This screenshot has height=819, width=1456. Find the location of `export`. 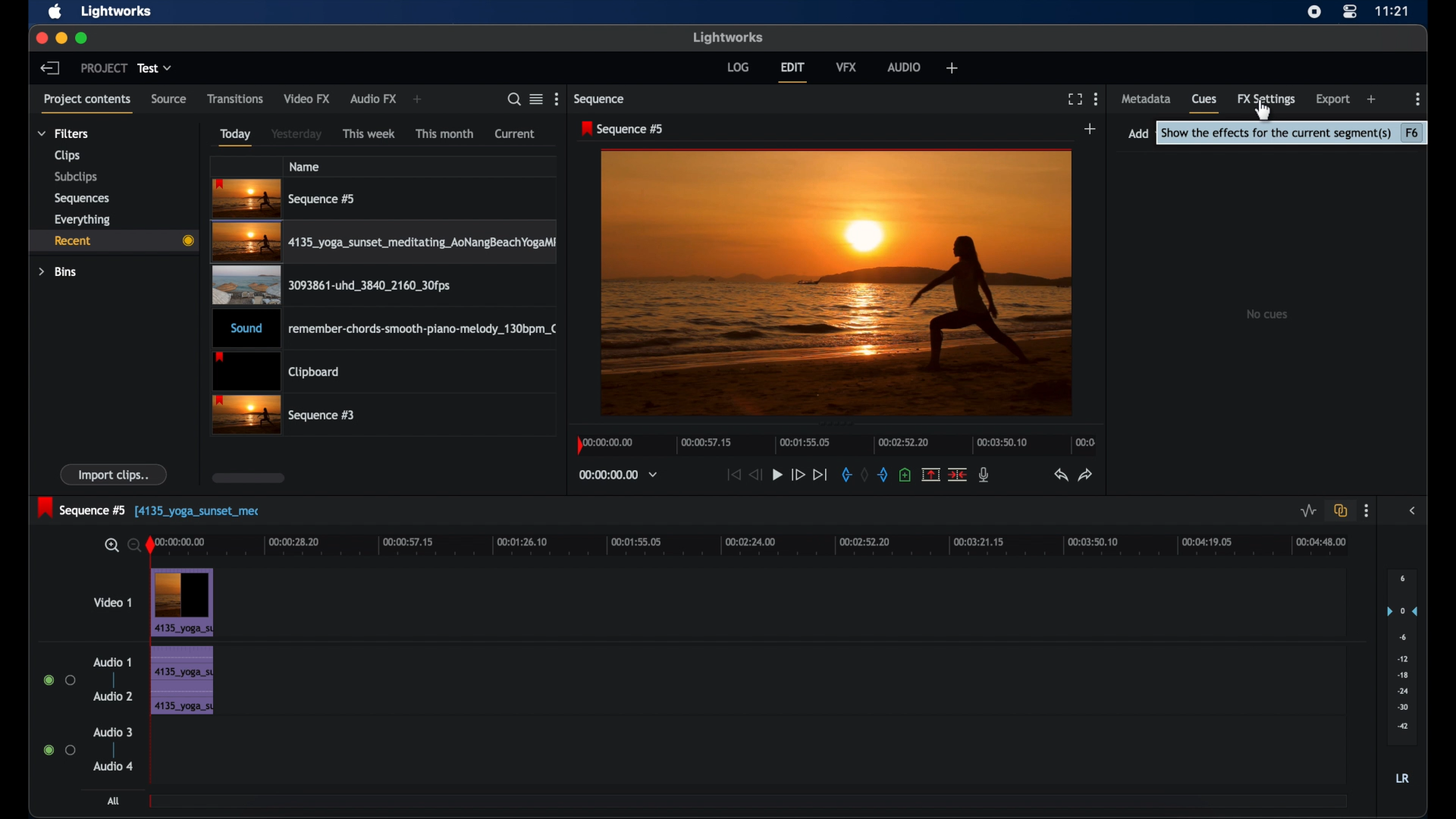

export is located at coordinates (1334, 99).